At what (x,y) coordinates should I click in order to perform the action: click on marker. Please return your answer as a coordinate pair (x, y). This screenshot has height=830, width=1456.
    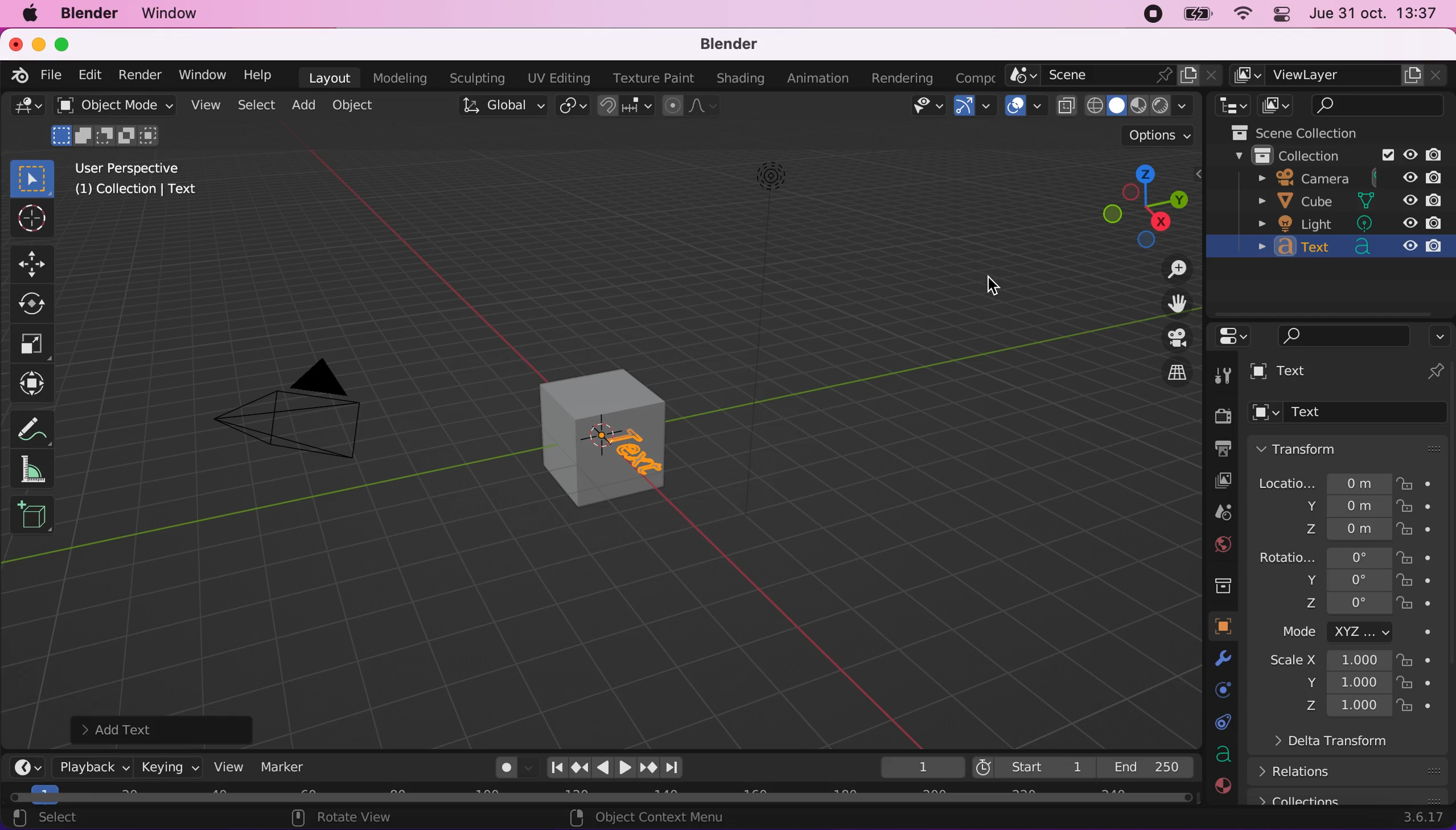
    Looking at the image, I should click on (288, 766).